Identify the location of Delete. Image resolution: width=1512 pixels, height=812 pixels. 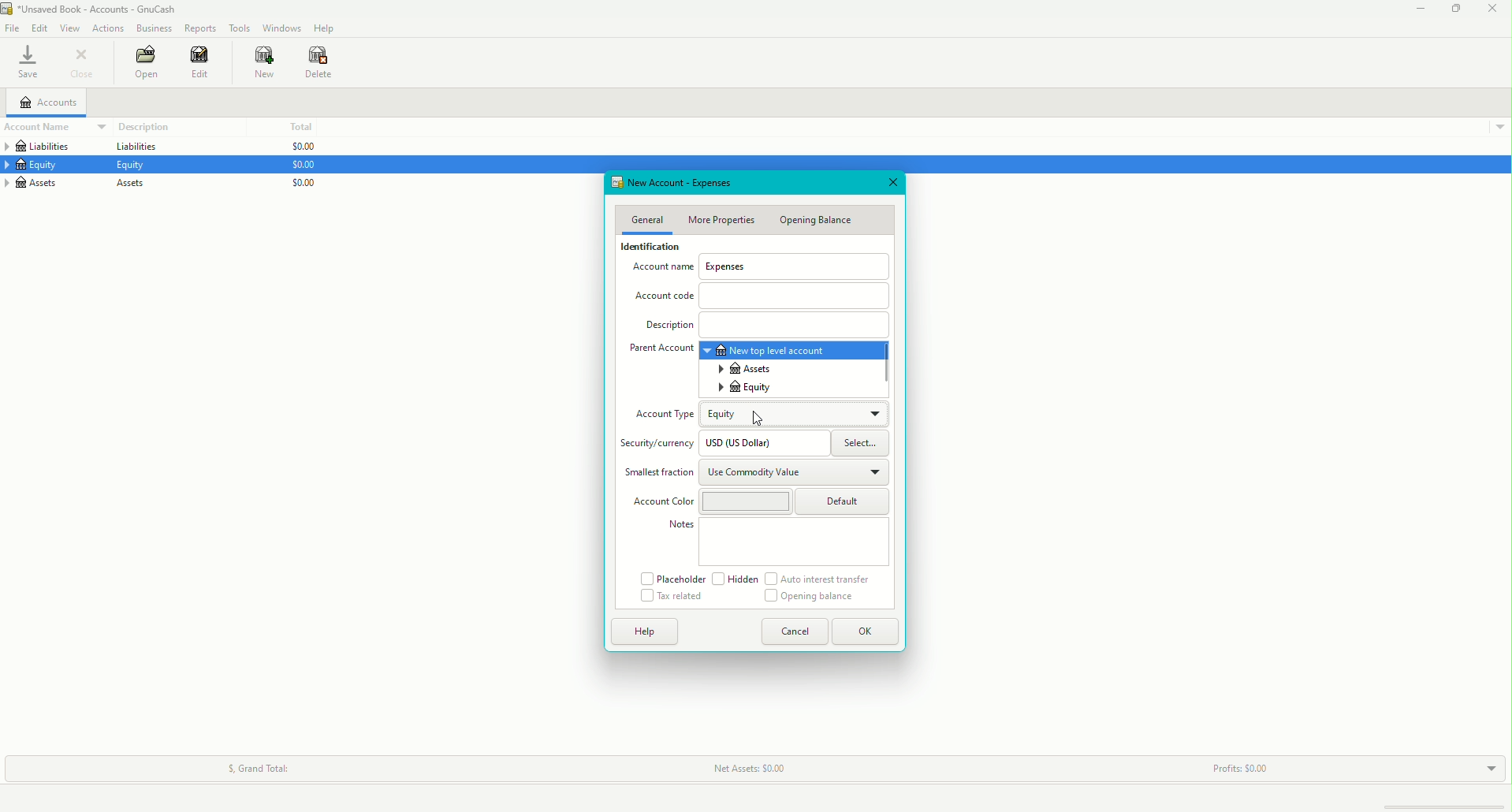
(322, 62).